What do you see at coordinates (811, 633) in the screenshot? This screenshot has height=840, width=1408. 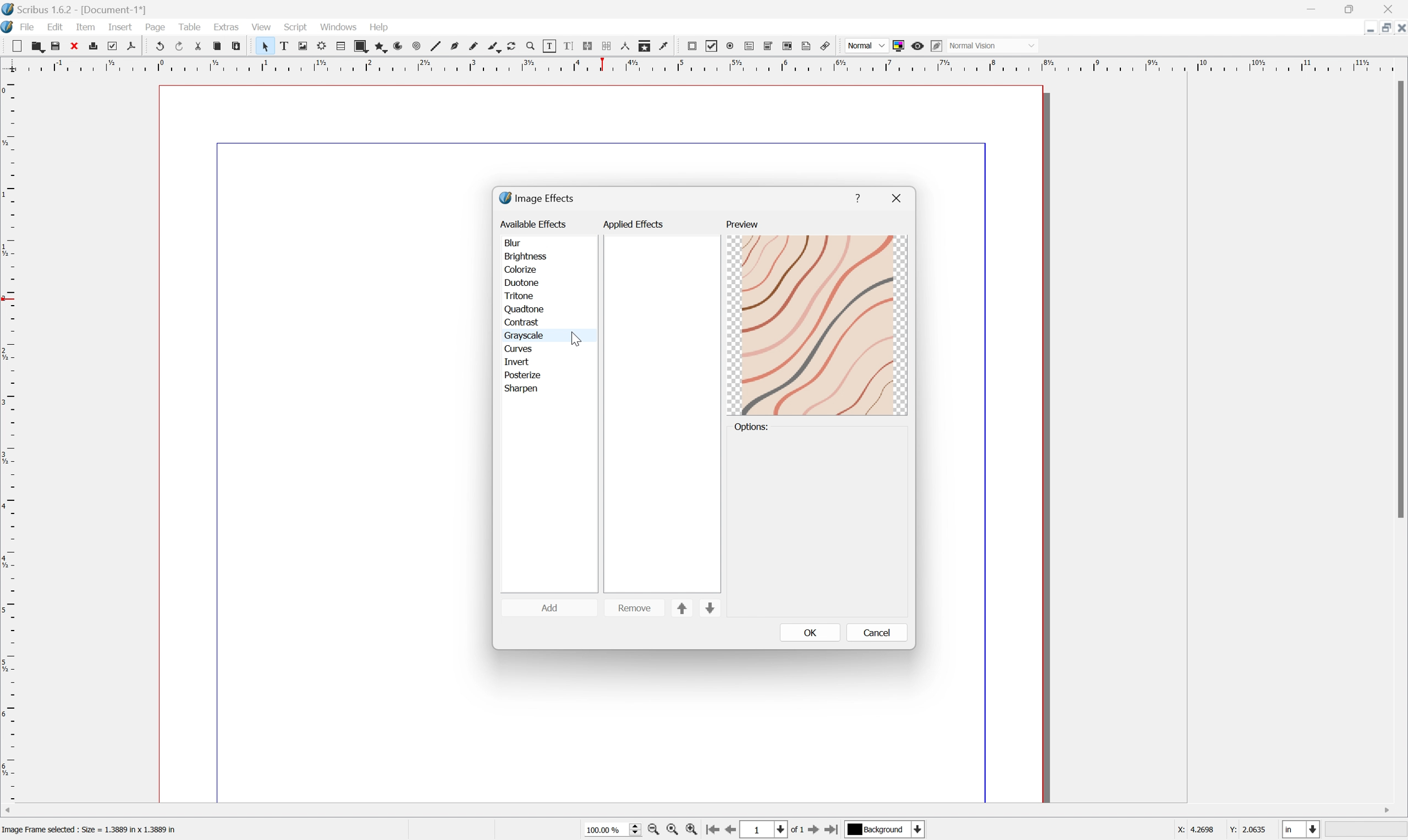 I see `OK` at bounding box center [811, 633].